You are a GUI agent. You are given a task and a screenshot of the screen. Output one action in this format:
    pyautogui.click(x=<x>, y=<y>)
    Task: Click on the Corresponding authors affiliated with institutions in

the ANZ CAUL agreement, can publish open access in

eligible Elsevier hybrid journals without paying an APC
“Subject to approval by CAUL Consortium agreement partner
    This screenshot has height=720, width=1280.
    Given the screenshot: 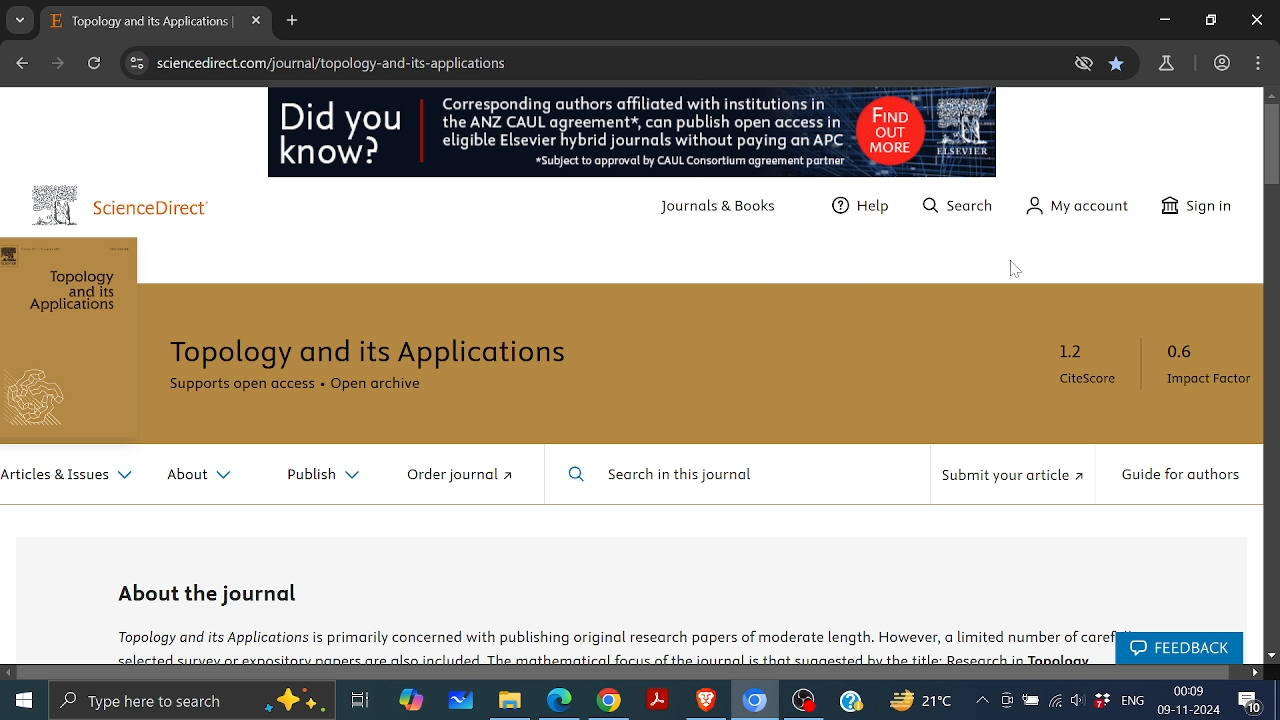 What is the action you would take?
    pyautogui.click(x=638, y=133)
    